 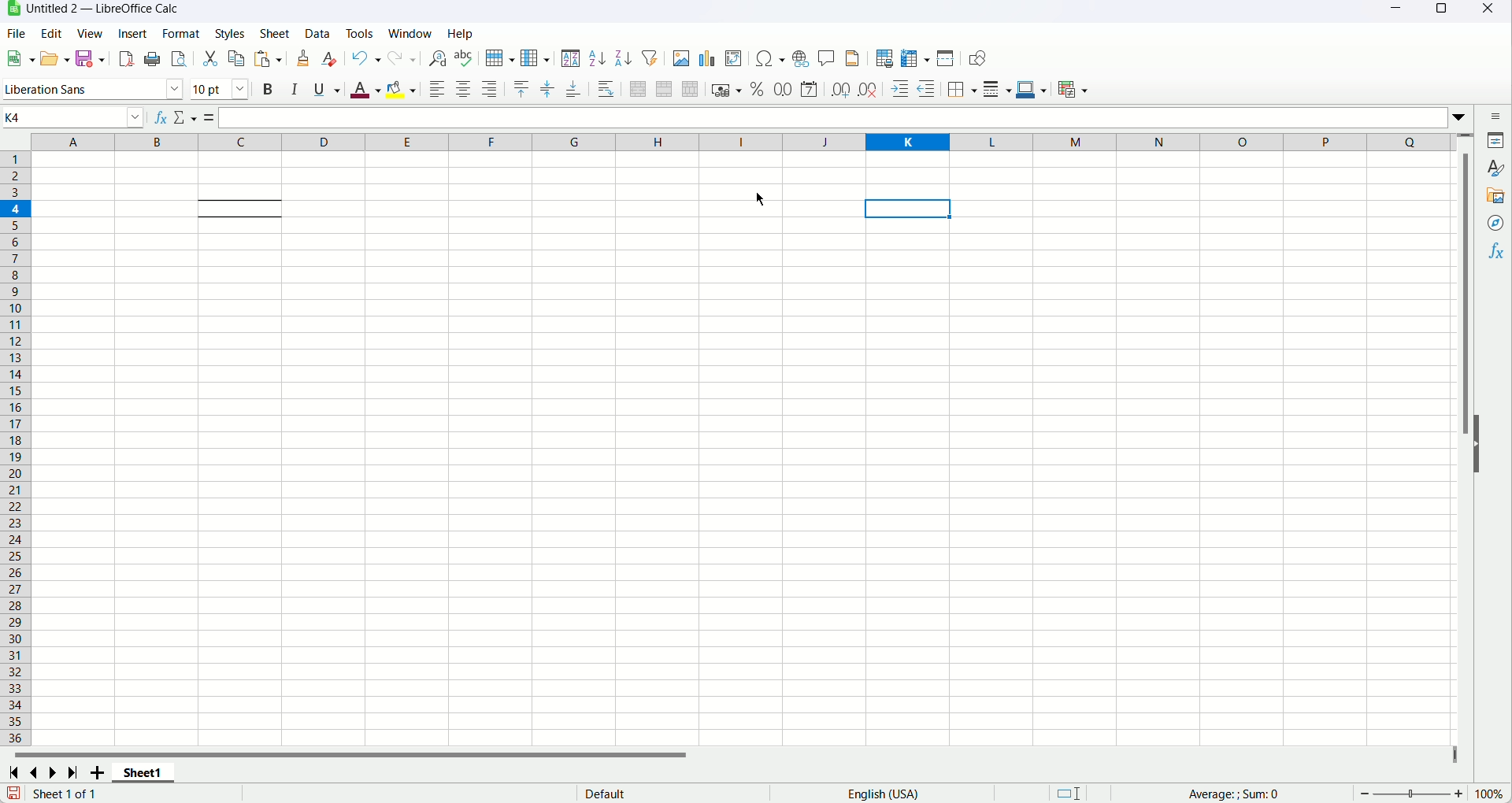 I want to click on Decrease indent, so click(x=927, y=89).